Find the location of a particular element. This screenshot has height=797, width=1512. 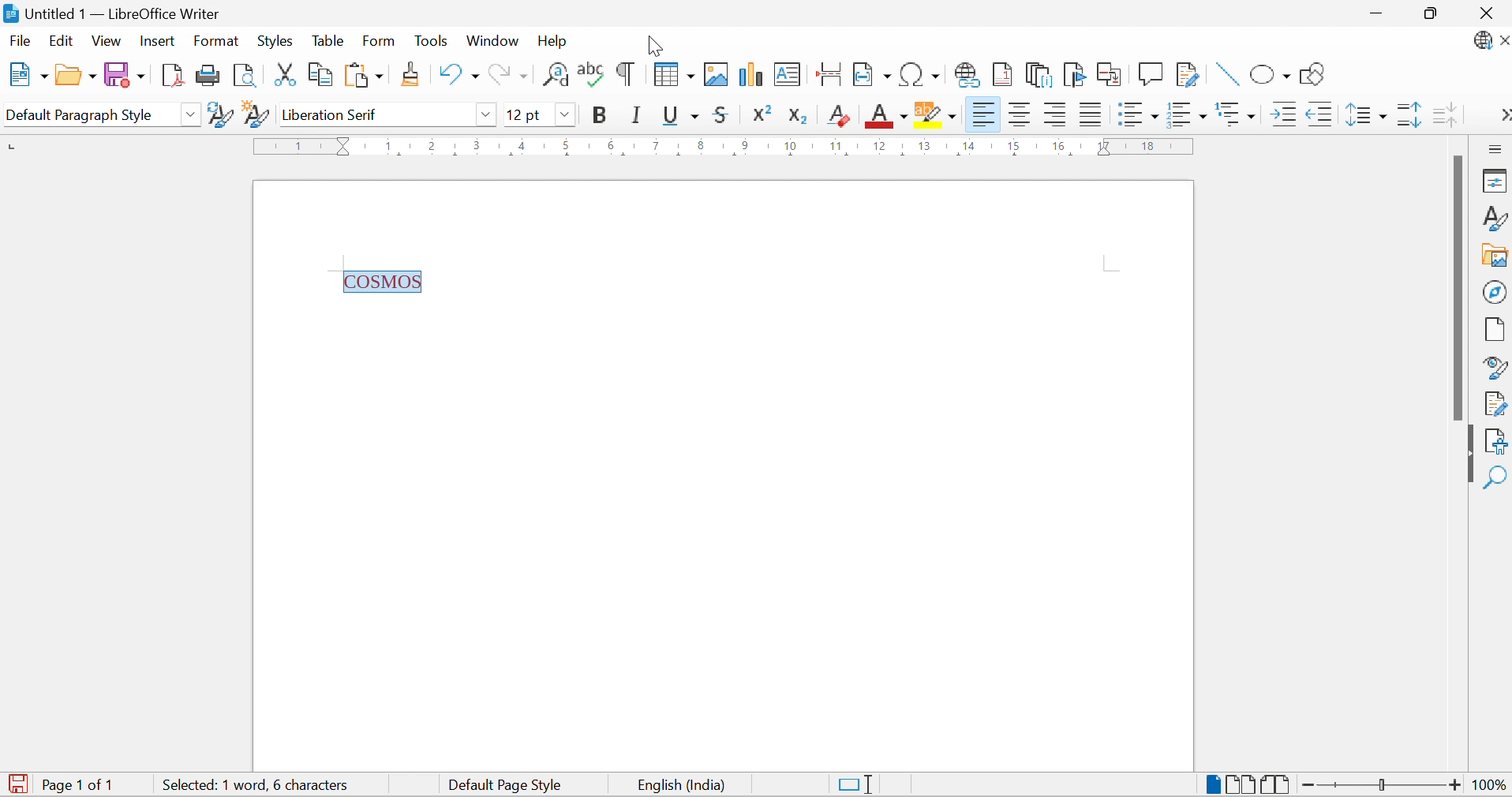

Toggle Unordered List is located at coordinates (1136, 112).